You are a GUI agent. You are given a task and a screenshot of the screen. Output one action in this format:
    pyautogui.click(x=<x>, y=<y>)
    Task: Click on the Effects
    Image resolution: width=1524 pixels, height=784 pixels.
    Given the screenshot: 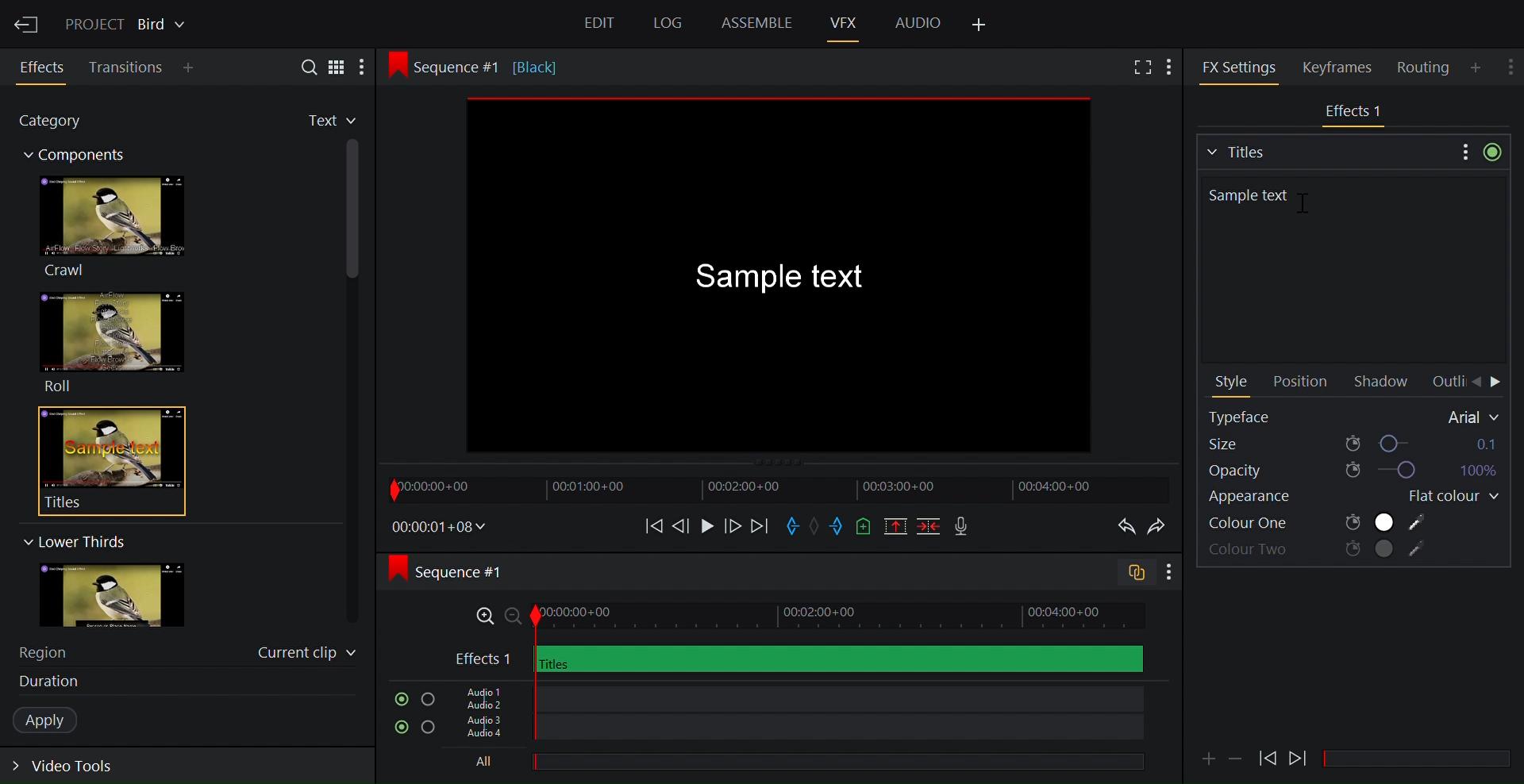 What is the action you would take?
    pyautogui.click(x=44, y=67)
    